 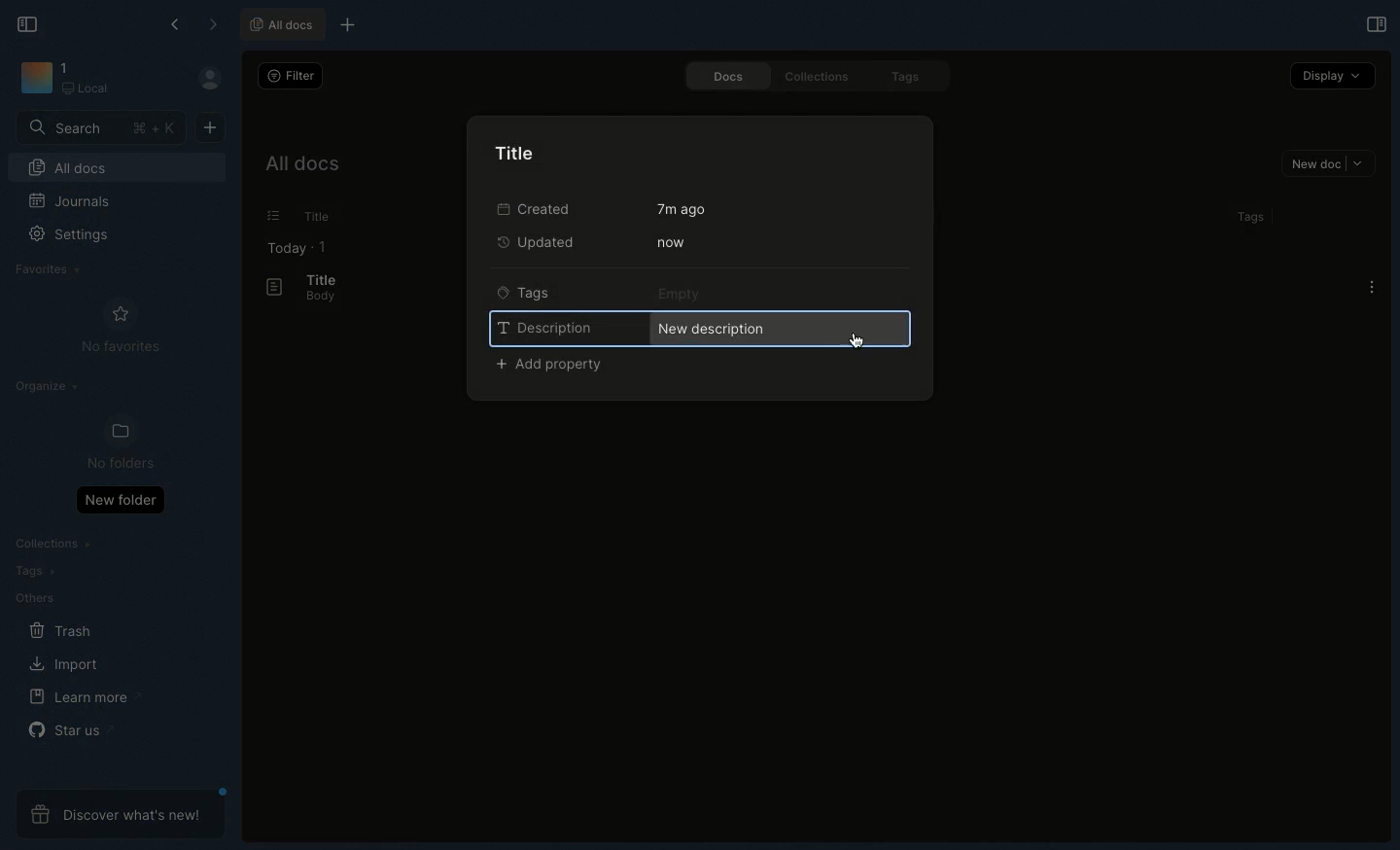 I want to click on New folder, so click(x=120, y=499).